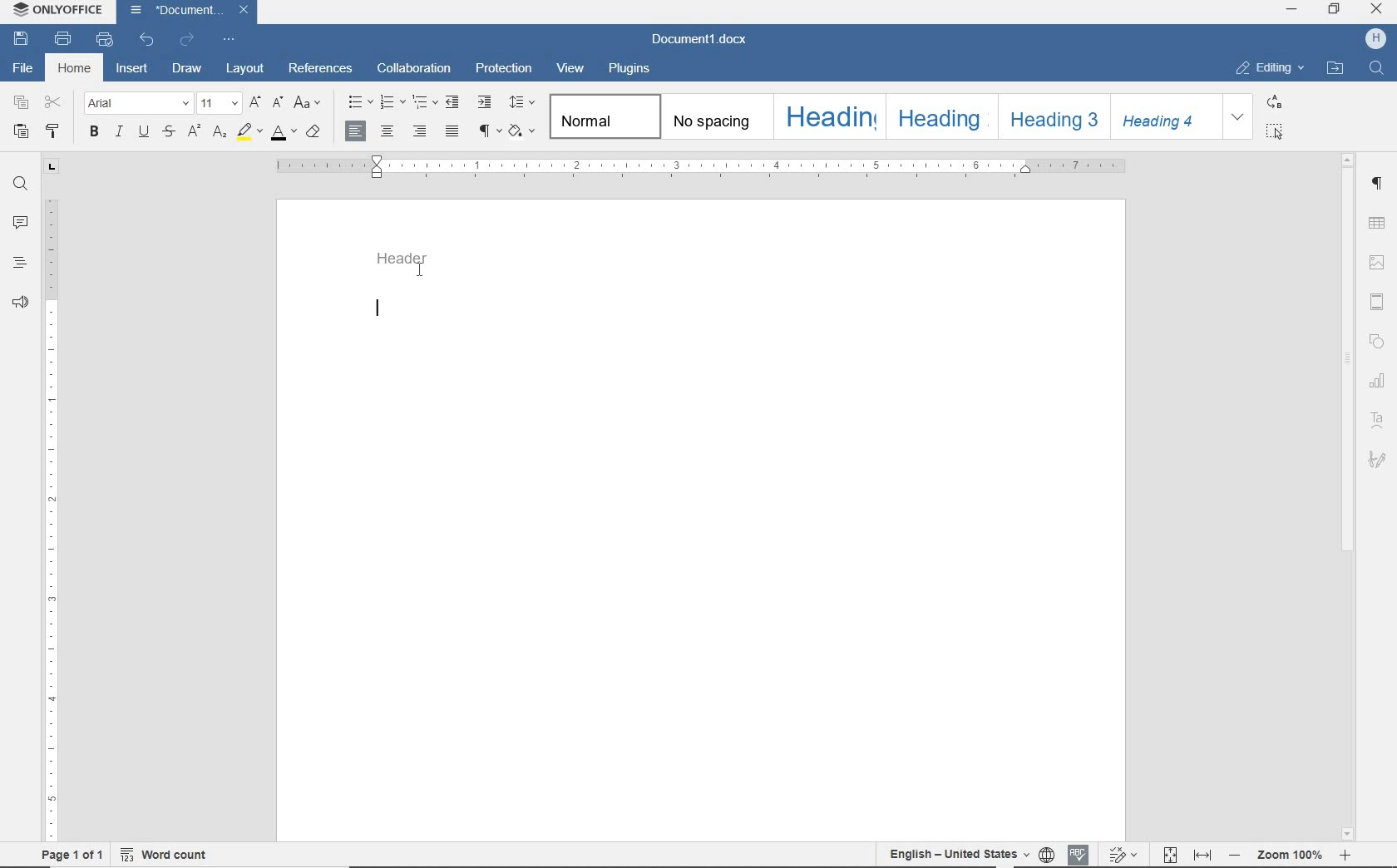 This screenshot has width=1397, height=868. What do you see at coordinates (1275, 131) in the screenshot?
I see `SELECT ALL` at bounding box center [1275, 131].